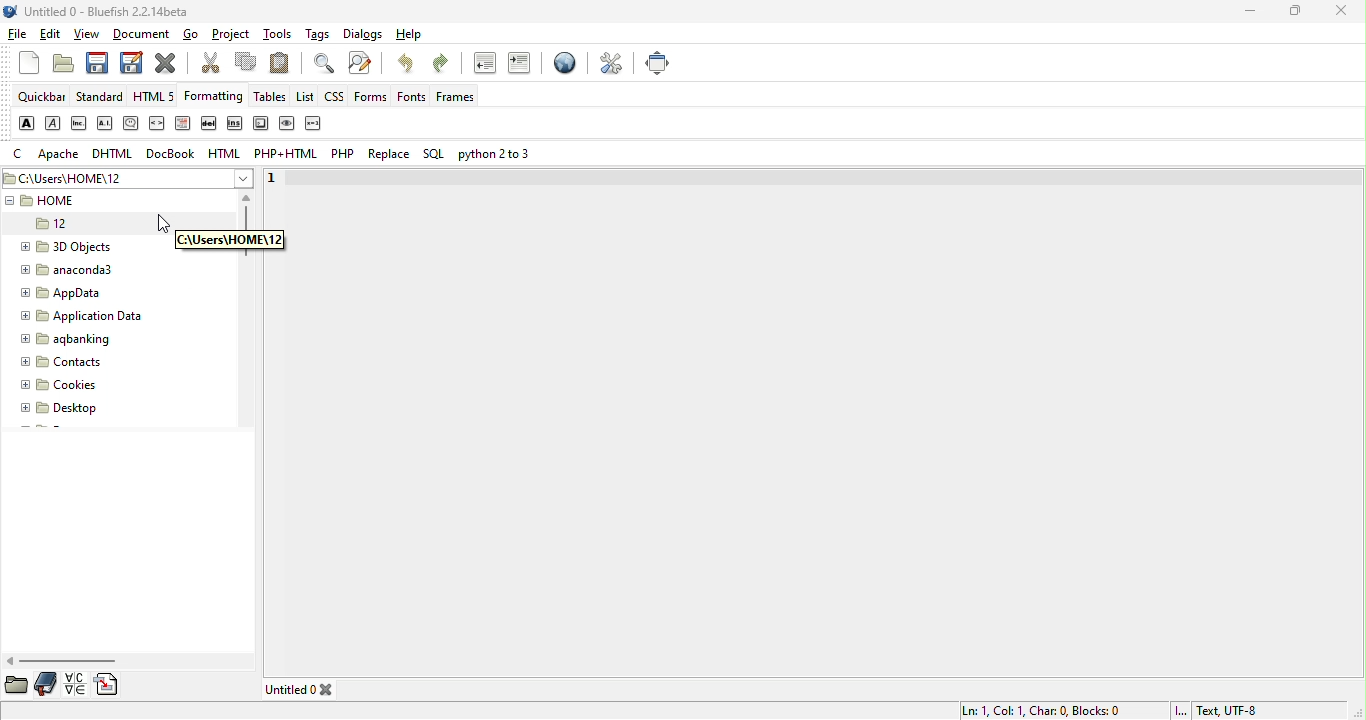 The height and width of the screenshot is (720, 1366). Describe the element at coordinates (129, 124) in the screenshot. I see `citation` at that location.